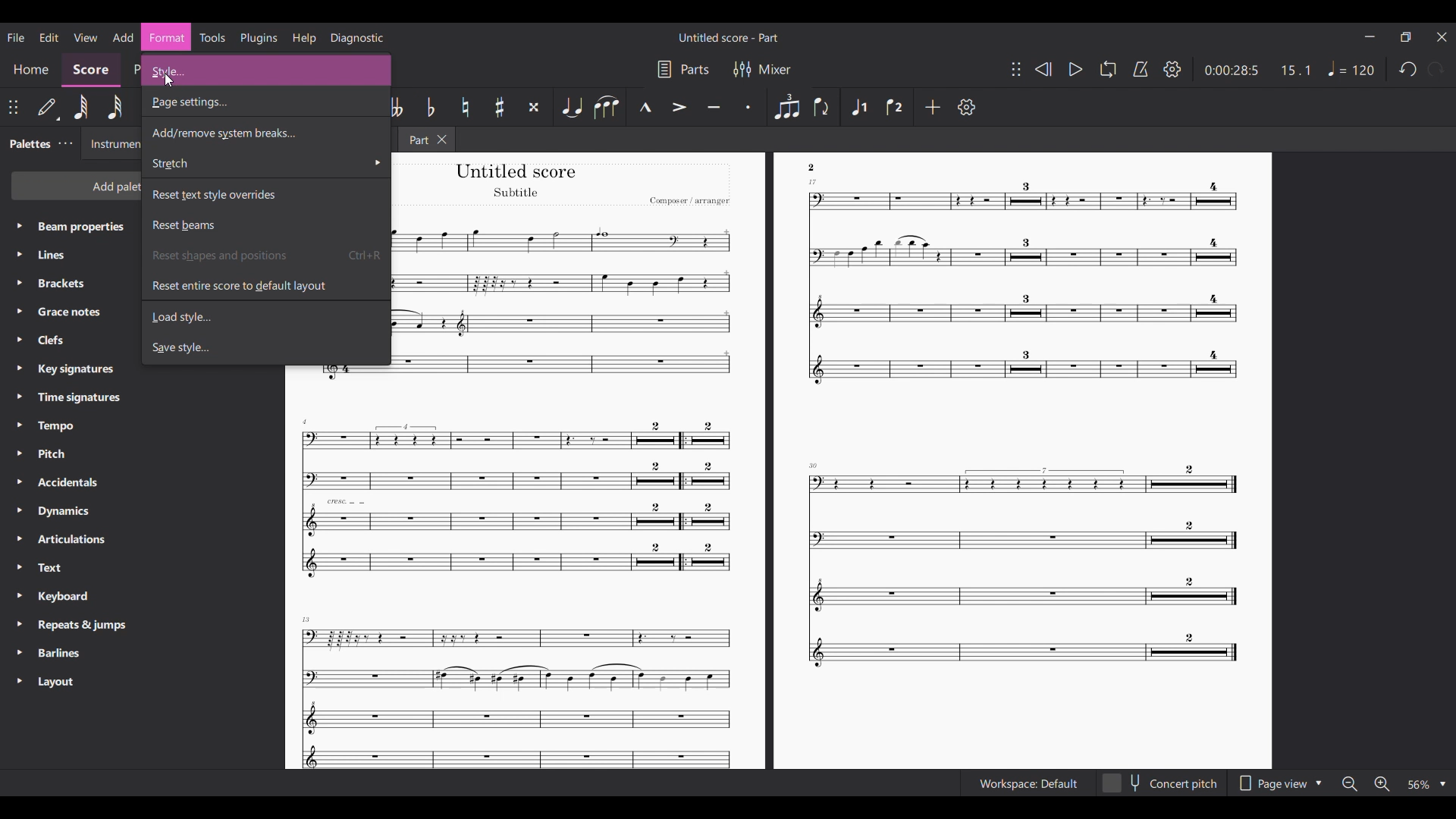 The image size is (1456, 819). I want to click on Close tab, so click(442, 140).